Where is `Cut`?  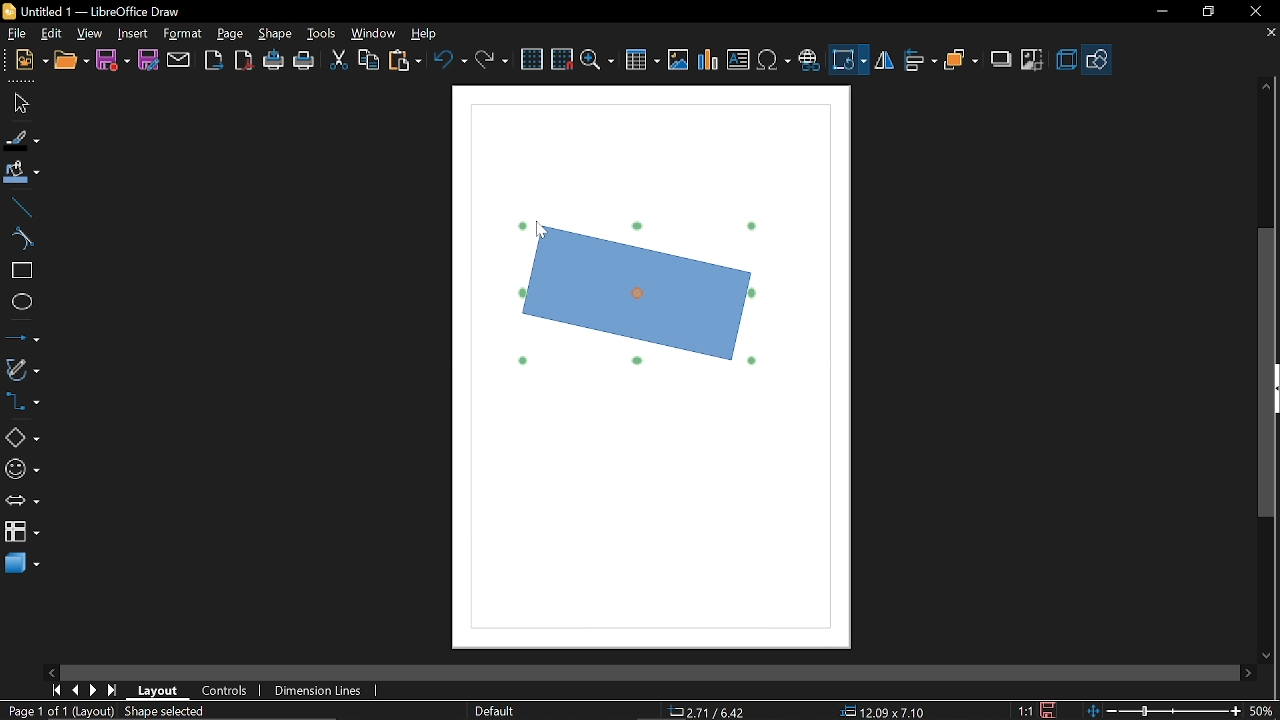 Cut is located at coordinates (338, 61).